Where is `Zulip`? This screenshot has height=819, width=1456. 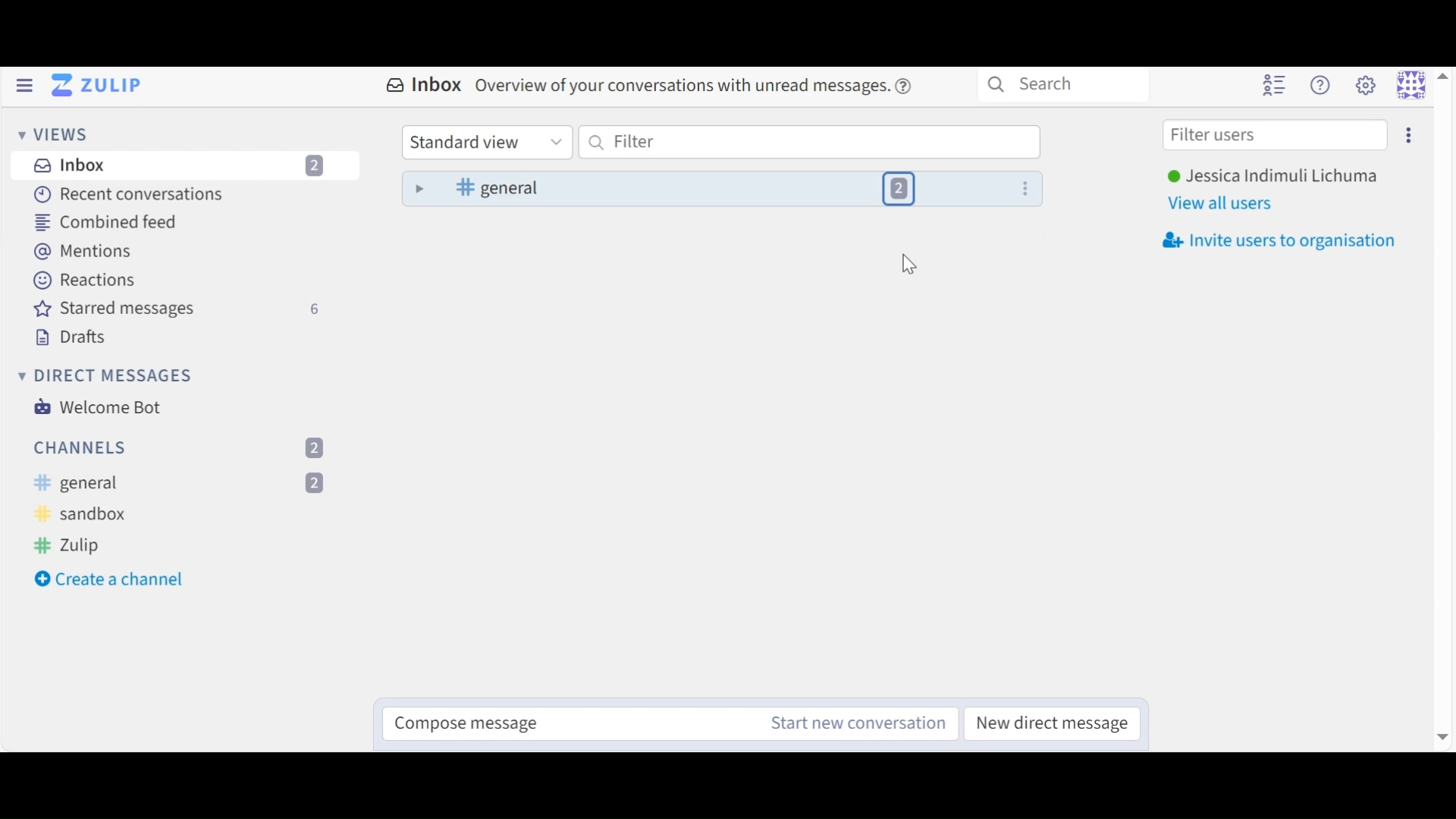
Zulip is located at coordinates (184, 545).